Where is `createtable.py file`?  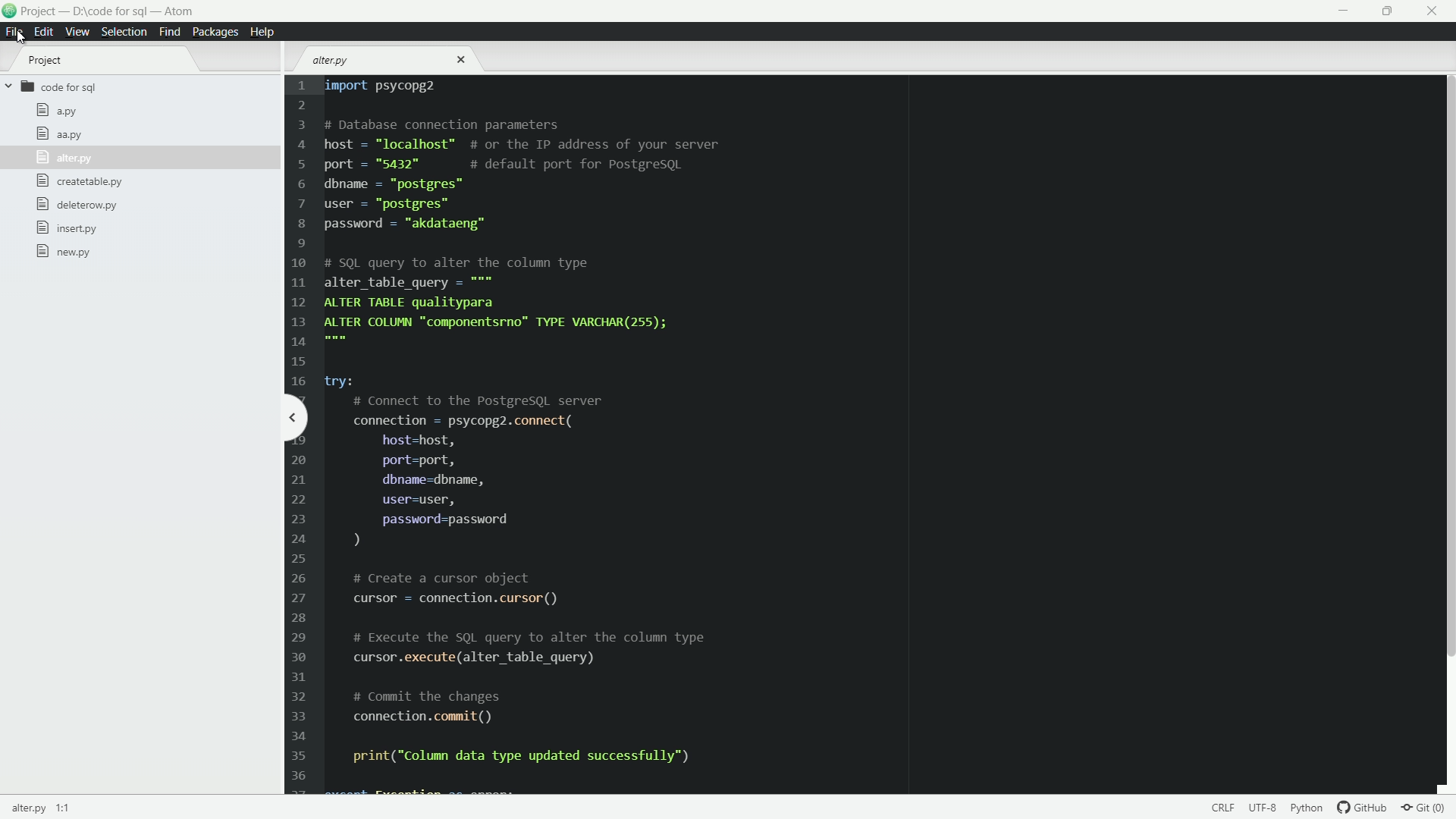 createtable.py file is located at coordinates (77, 180).